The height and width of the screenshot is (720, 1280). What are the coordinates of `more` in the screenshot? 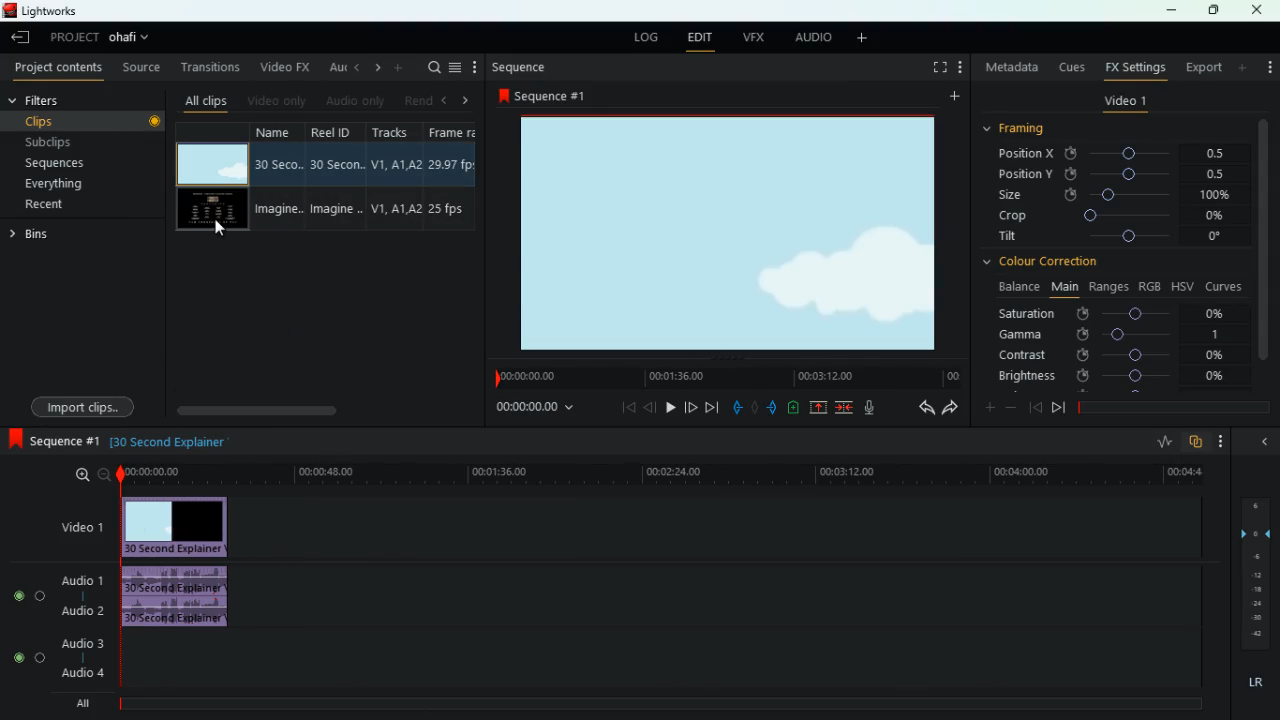 It's located at (963, 69).